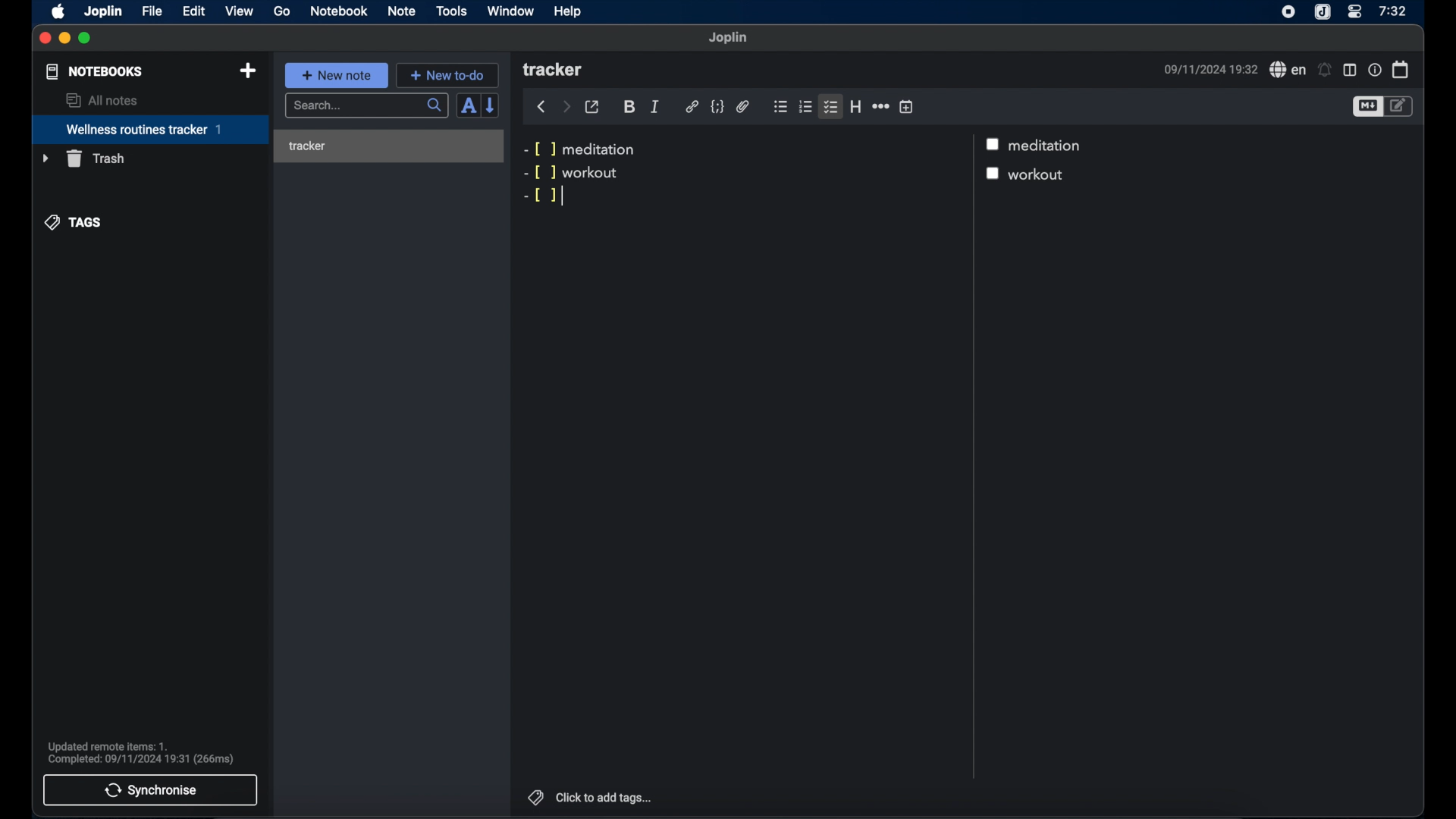 The image size is (1456, 819). What do you see at coordinates (743, 108) in the screenshot?
I see `attach file` at bounding box center [743, 108].